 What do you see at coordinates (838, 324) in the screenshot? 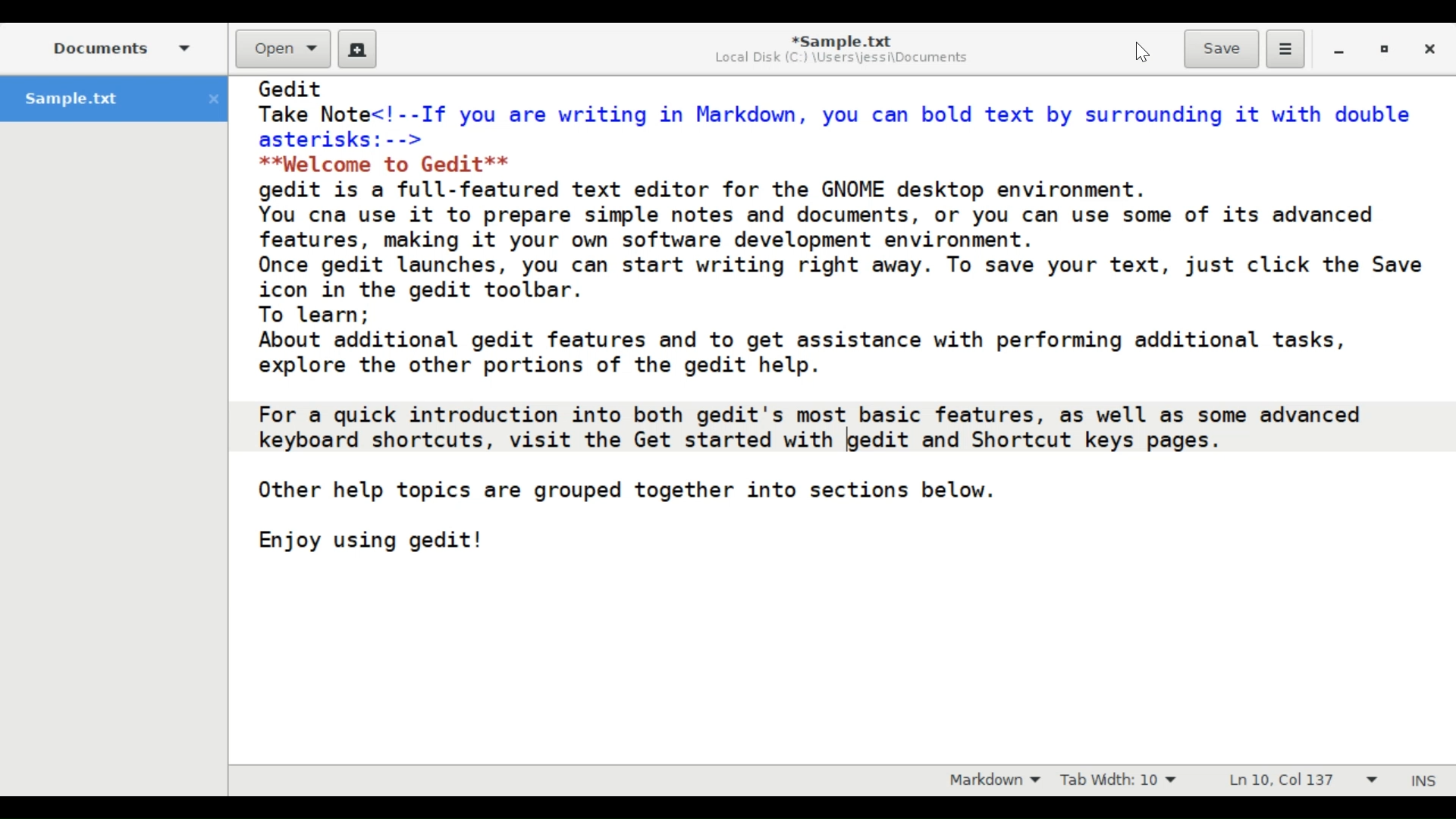
I see `Gedit

Take Note<!--If you are writing in Markdown, you can bold text by surrounding it with double
asterisks: -->

**Welcome to Gedit**

gedit is a full-featured text editor for the GNOME desktop environment.

You cna use it to prepare simple notes and documents, or you can use some of its advanced
features, making it your own software development environment.

Once gedit launches, you can start writing right away. To save your text, just click the Save
icon in the gedit toolbar.

To learn;

About additional gedit features and to get assistance with performing additional tasks,
explore the other portions of the gedit help.

For a quick introduction into both gedit's most basic features, as well as some advanced
keyboard shortcuts, visit the Get started with [gedit and Shortcut keys pages.

Other help topics are grouped together into sections below.

Enjoy using gedit!` at bounding box center [838, 324].